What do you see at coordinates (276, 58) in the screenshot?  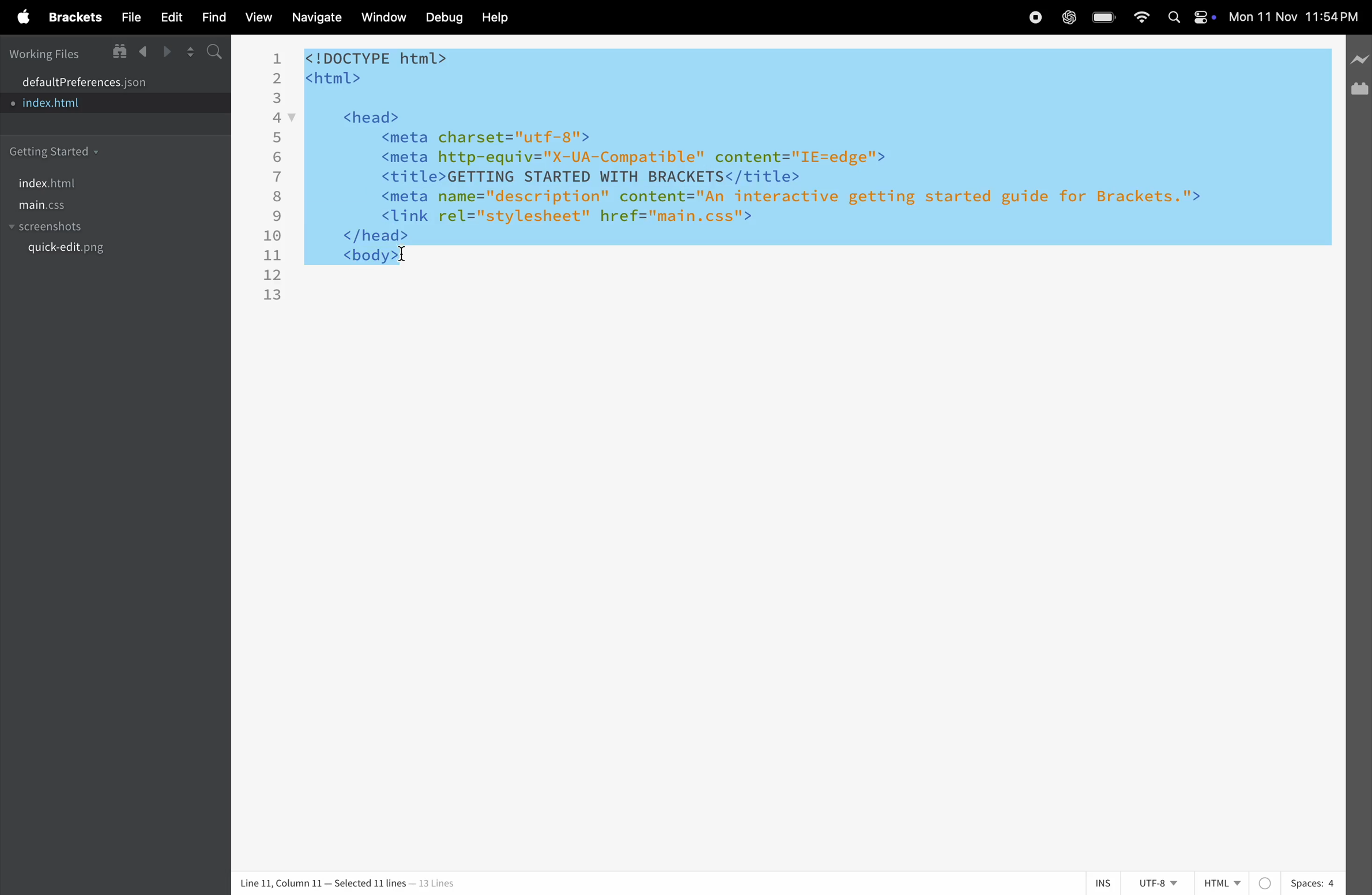 I see `1` at bounding box center [276, 58].